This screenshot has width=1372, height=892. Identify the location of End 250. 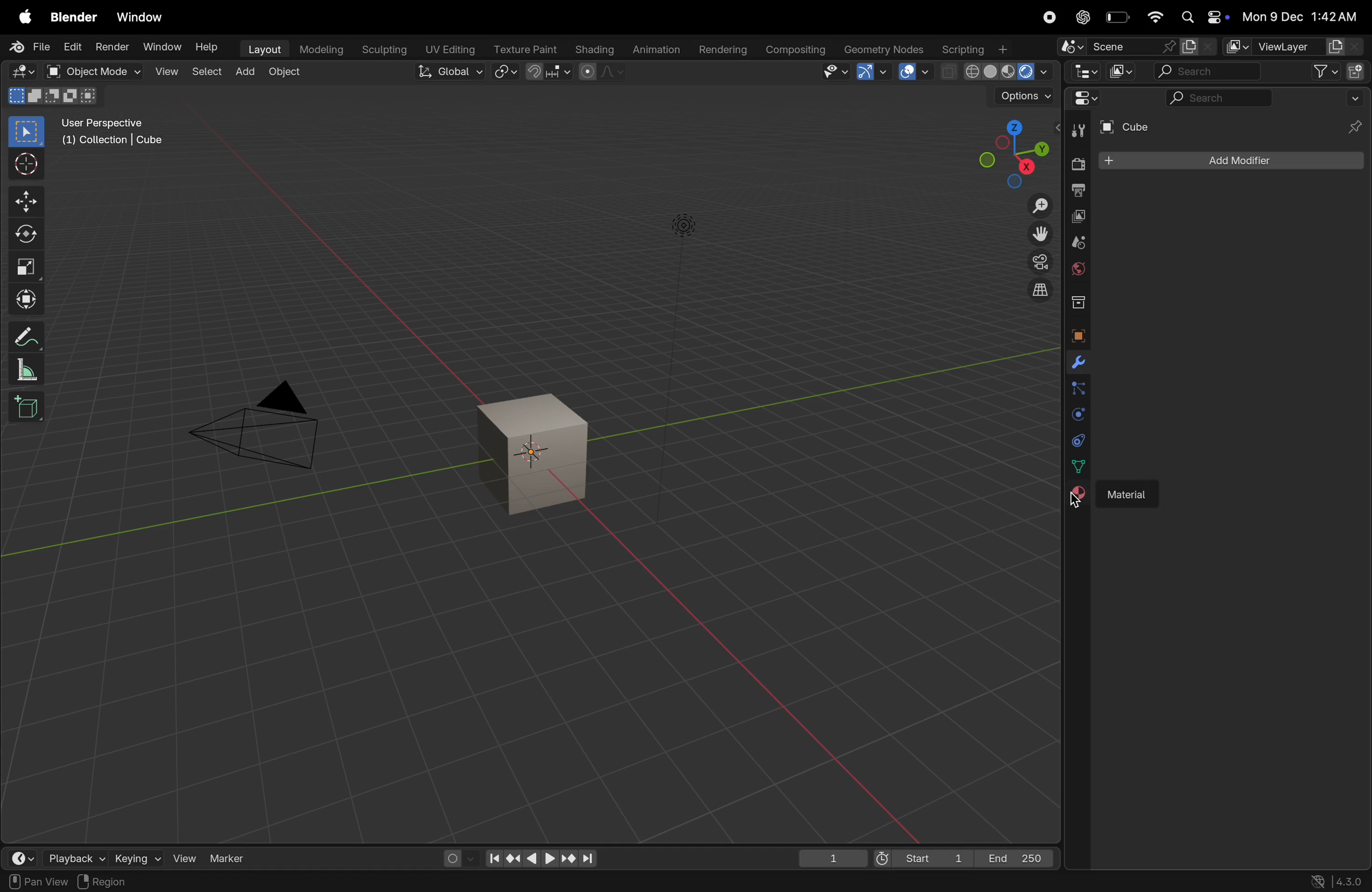
(1015, 858).